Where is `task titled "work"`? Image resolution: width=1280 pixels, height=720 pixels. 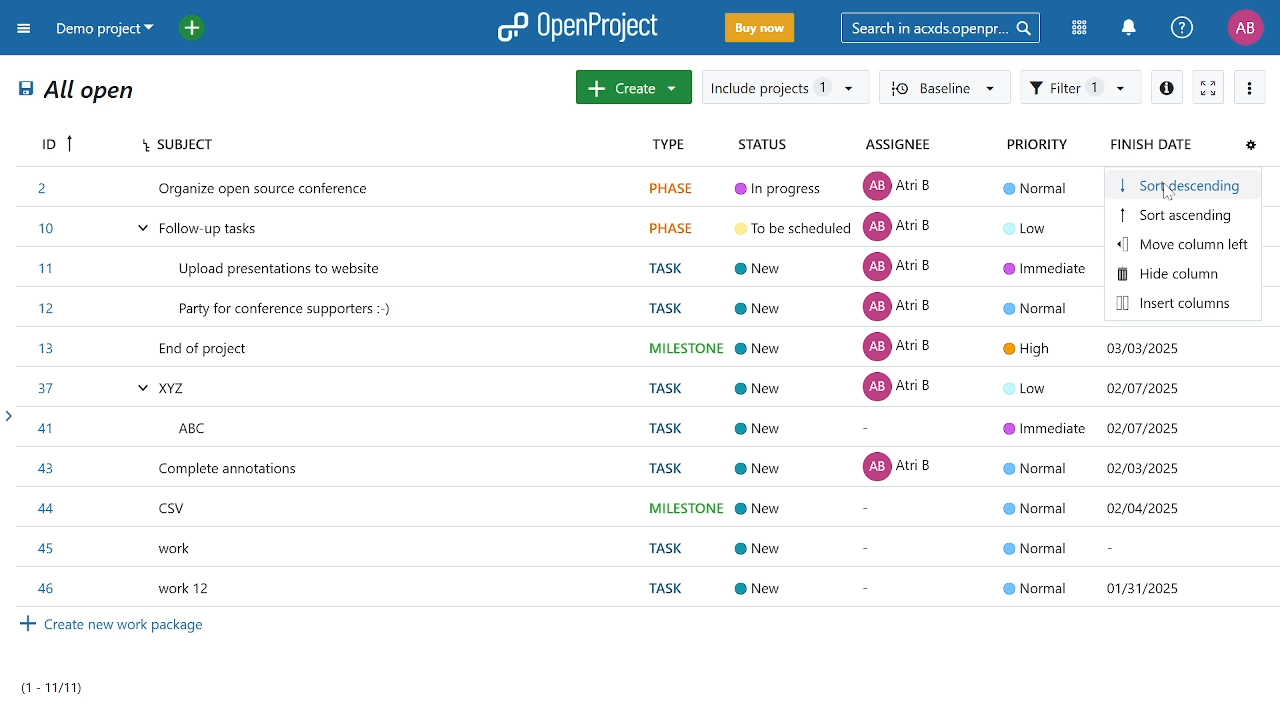
task titled "work" is located at coordinates (651, 545).